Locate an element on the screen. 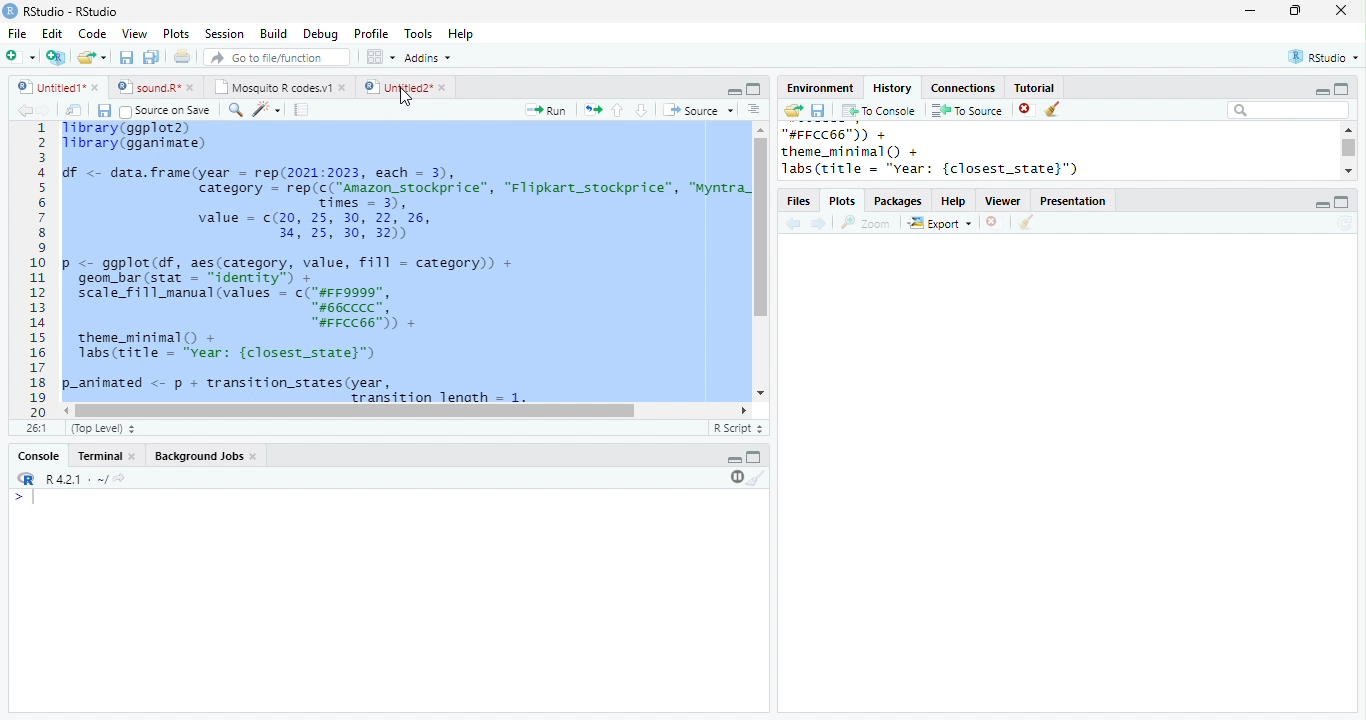 The height and width of the screenshot is (720, 1366). back is located at coordinates (793, 223).